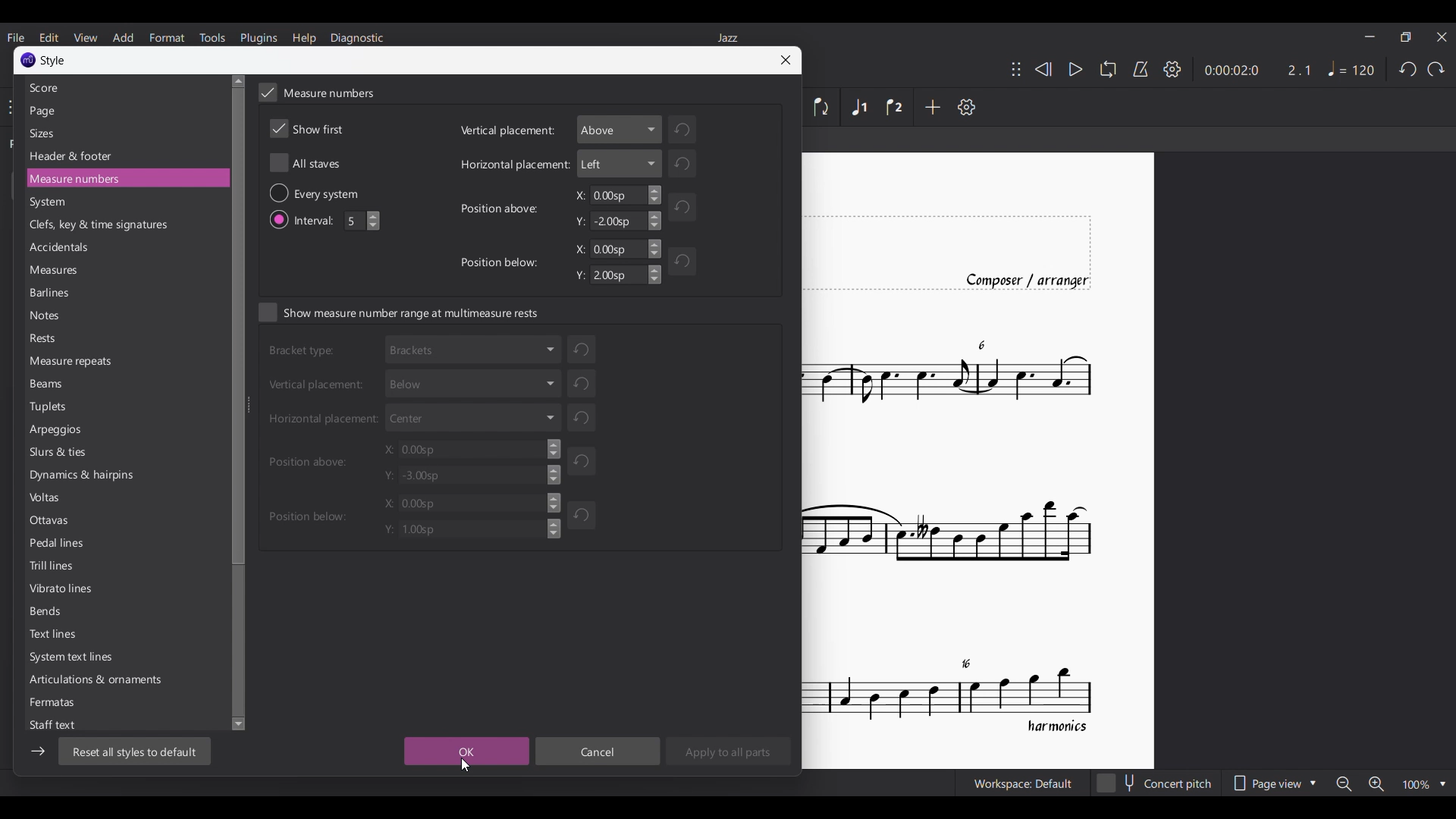 This screenshot has width=1456, height=819. Describe the element at coordinates (585, 419) in the screenshot. I see `Refresh` at that location.